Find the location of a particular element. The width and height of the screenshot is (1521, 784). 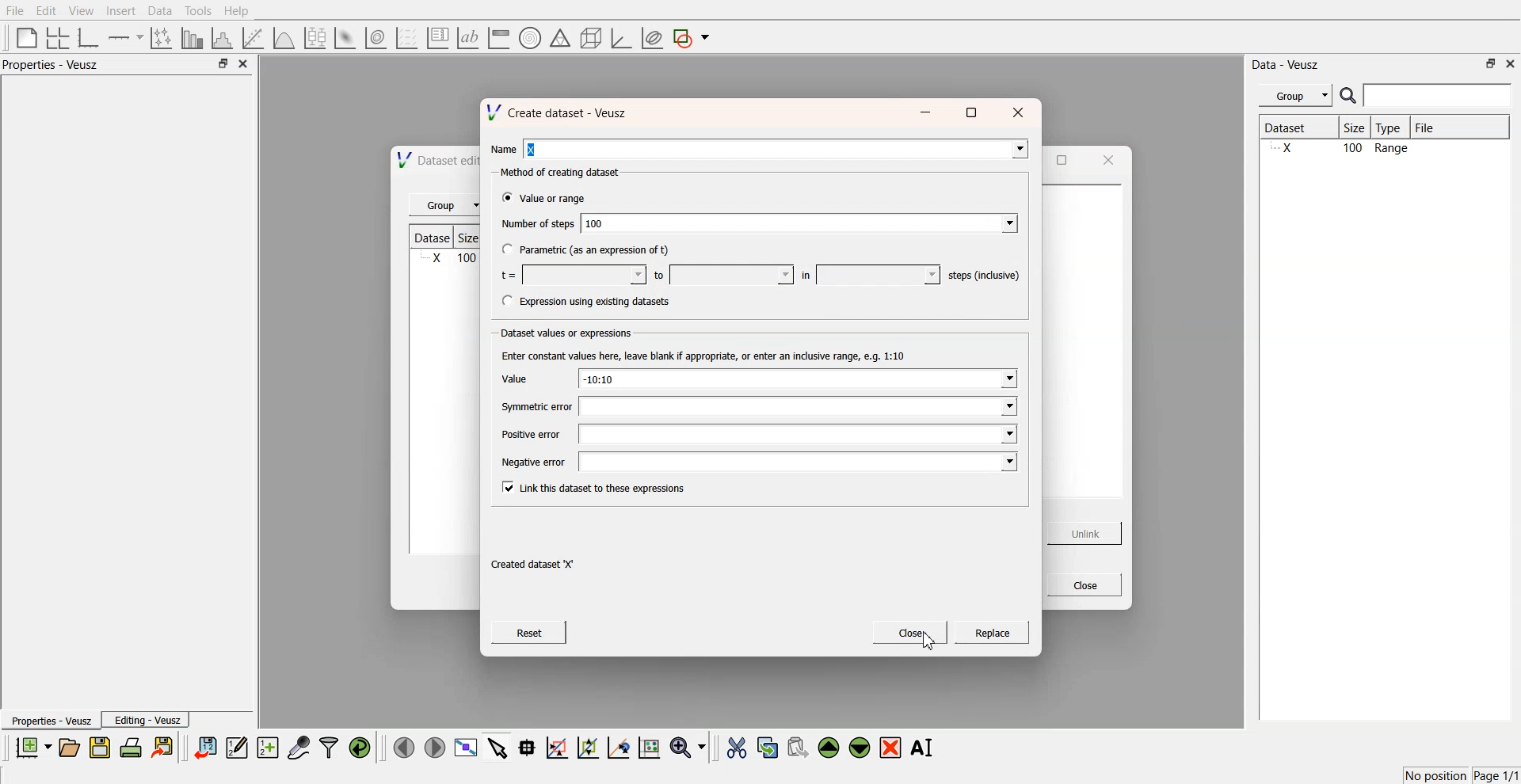

view plot full screen is located at coordinates (465, 748).